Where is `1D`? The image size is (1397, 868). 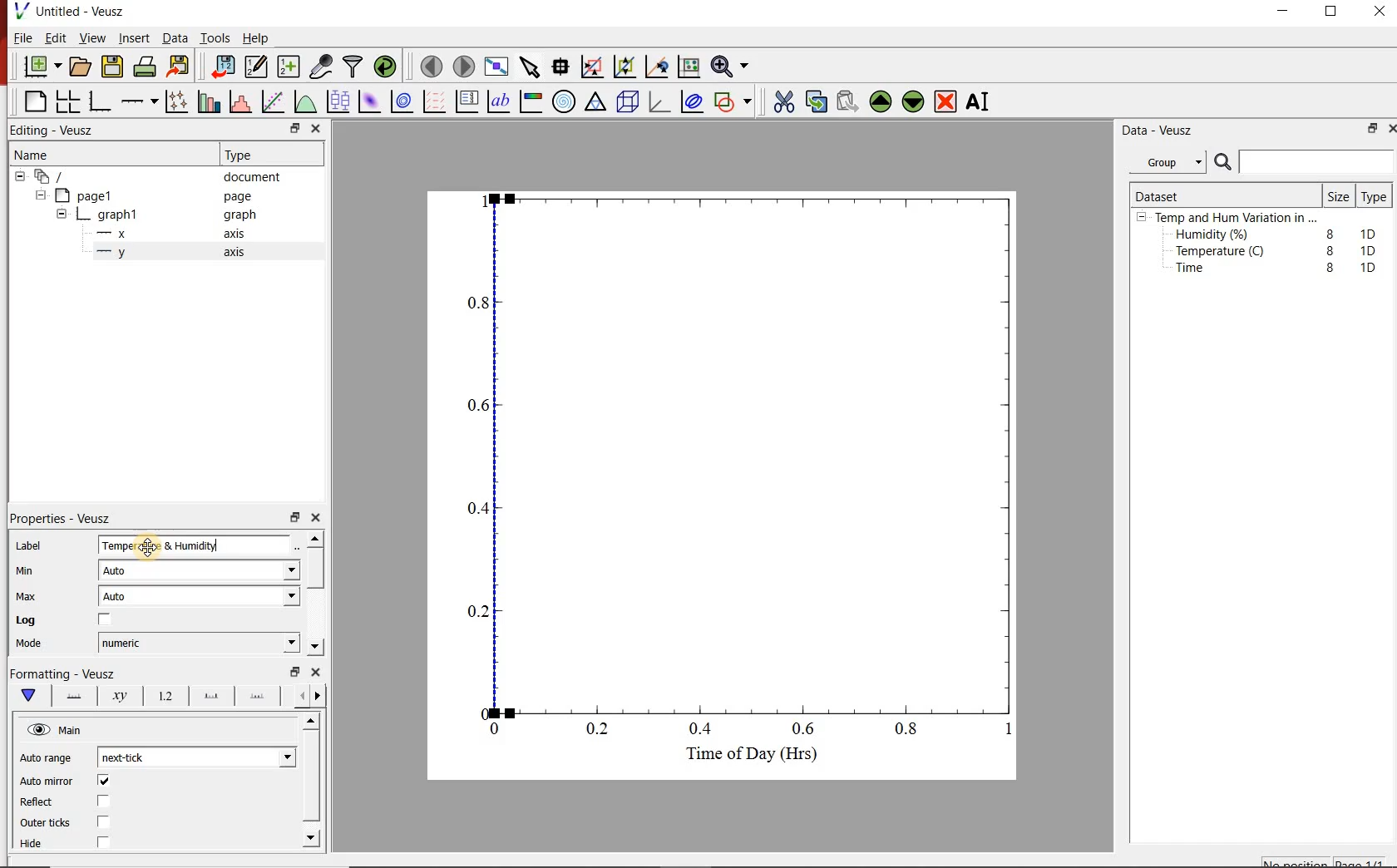 1D is located at coordinates (1373, 250).